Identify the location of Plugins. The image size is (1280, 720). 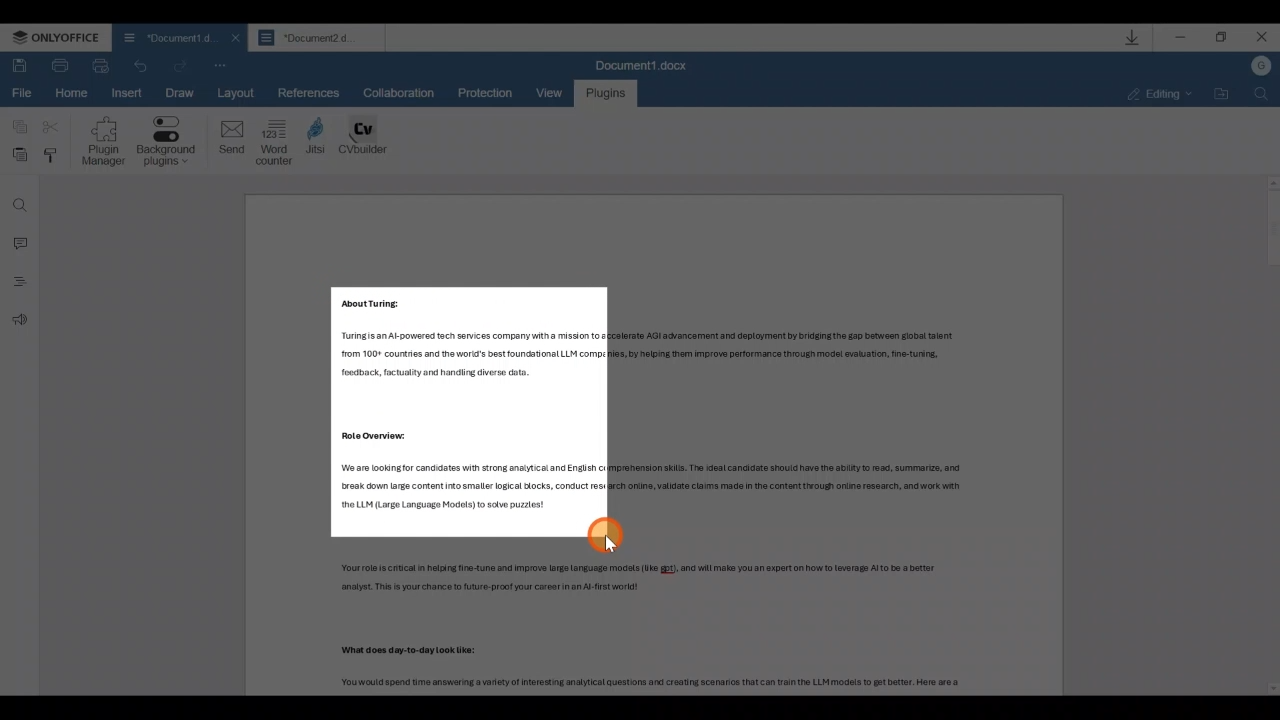
(606, 93).